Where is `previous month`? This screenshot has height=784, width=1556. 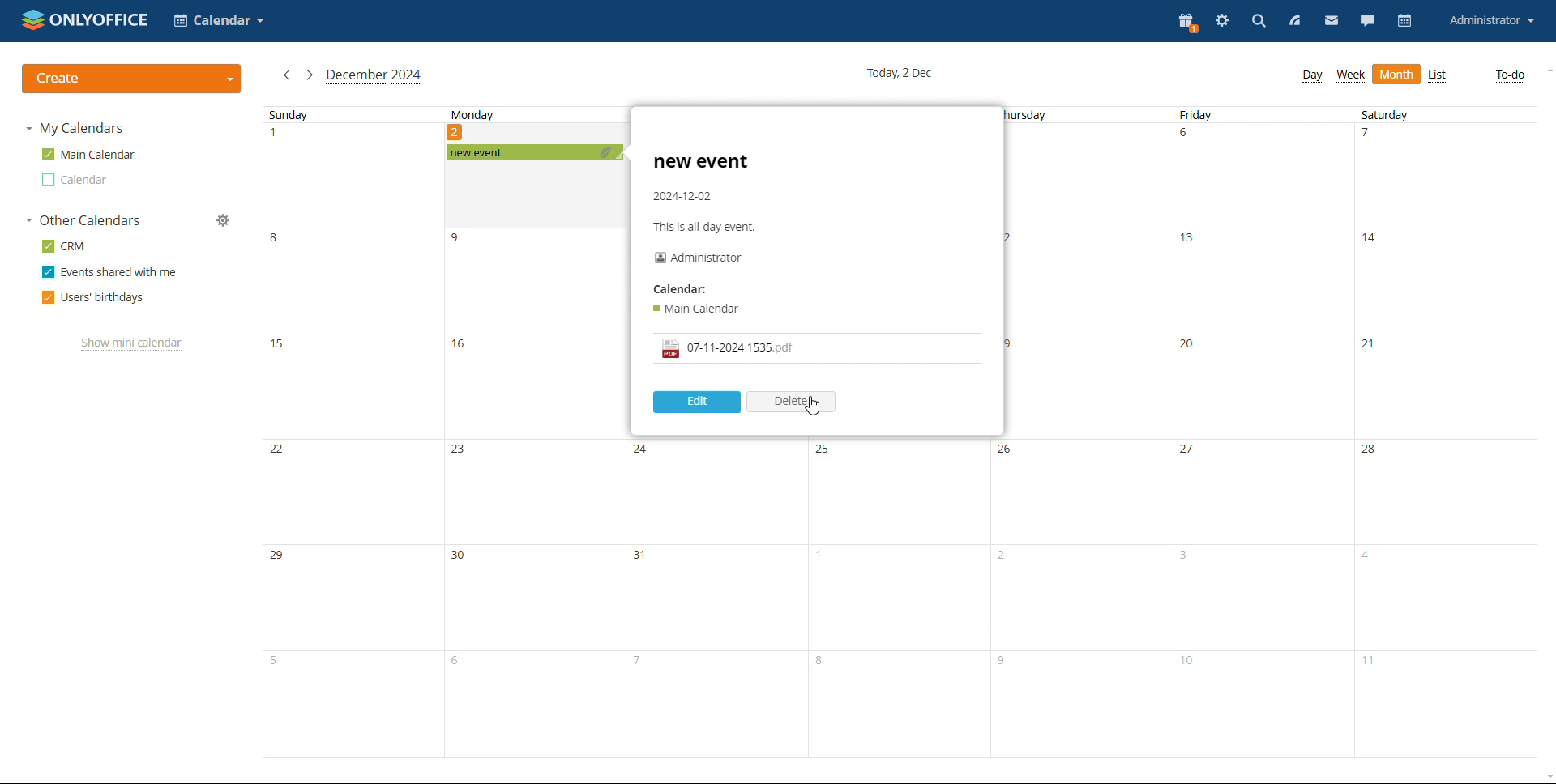
previous month is located at coordinates (287, 75).